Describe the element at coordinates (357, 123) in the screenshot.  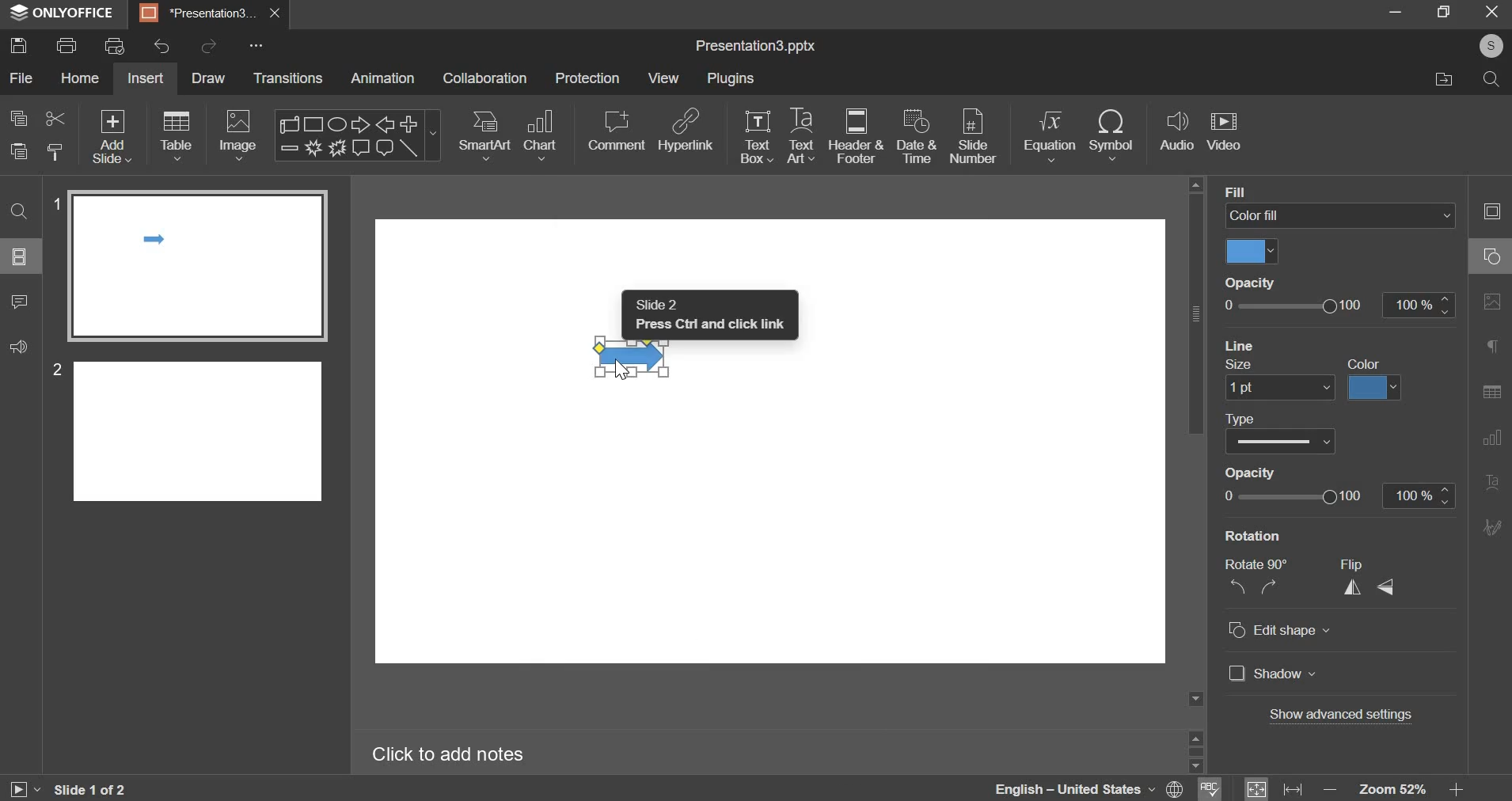
I see `right arrow` at that location.